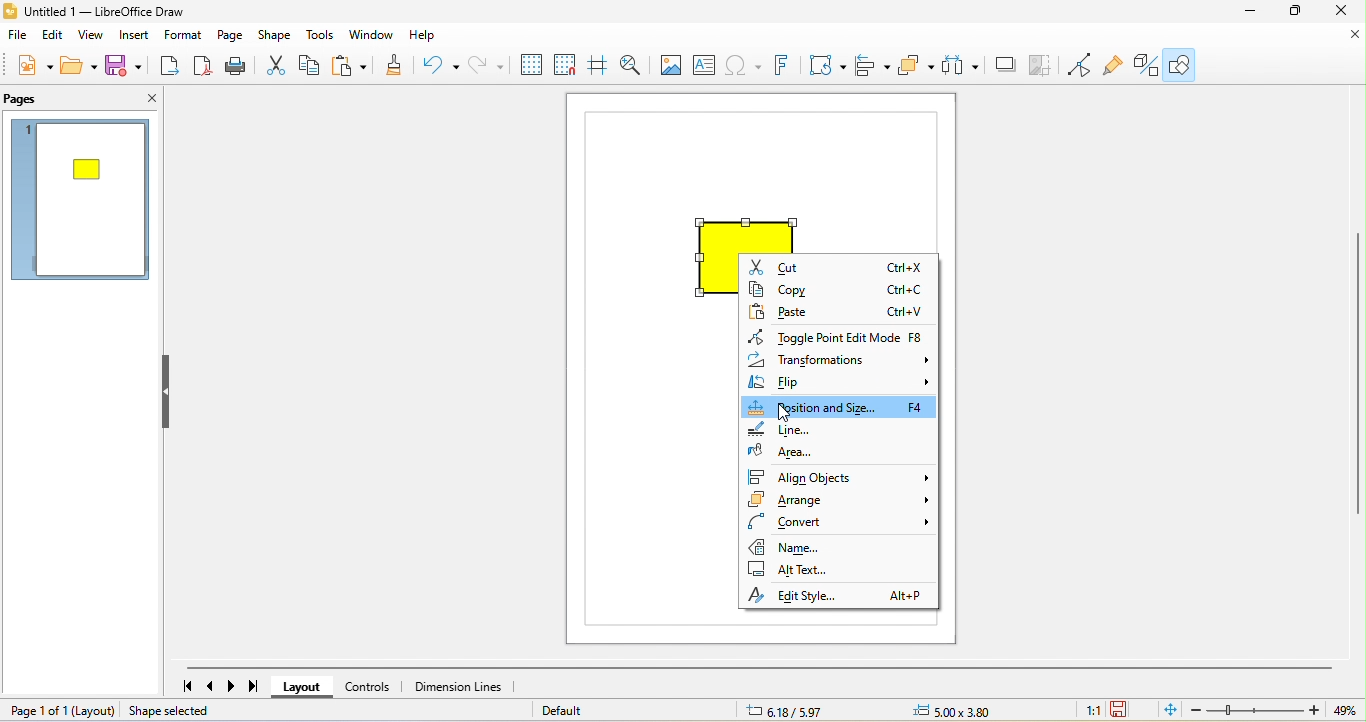  What do you see at coordinates (372, 687) in the screenshot?
I see `controls` at bounding box center [372, 687].